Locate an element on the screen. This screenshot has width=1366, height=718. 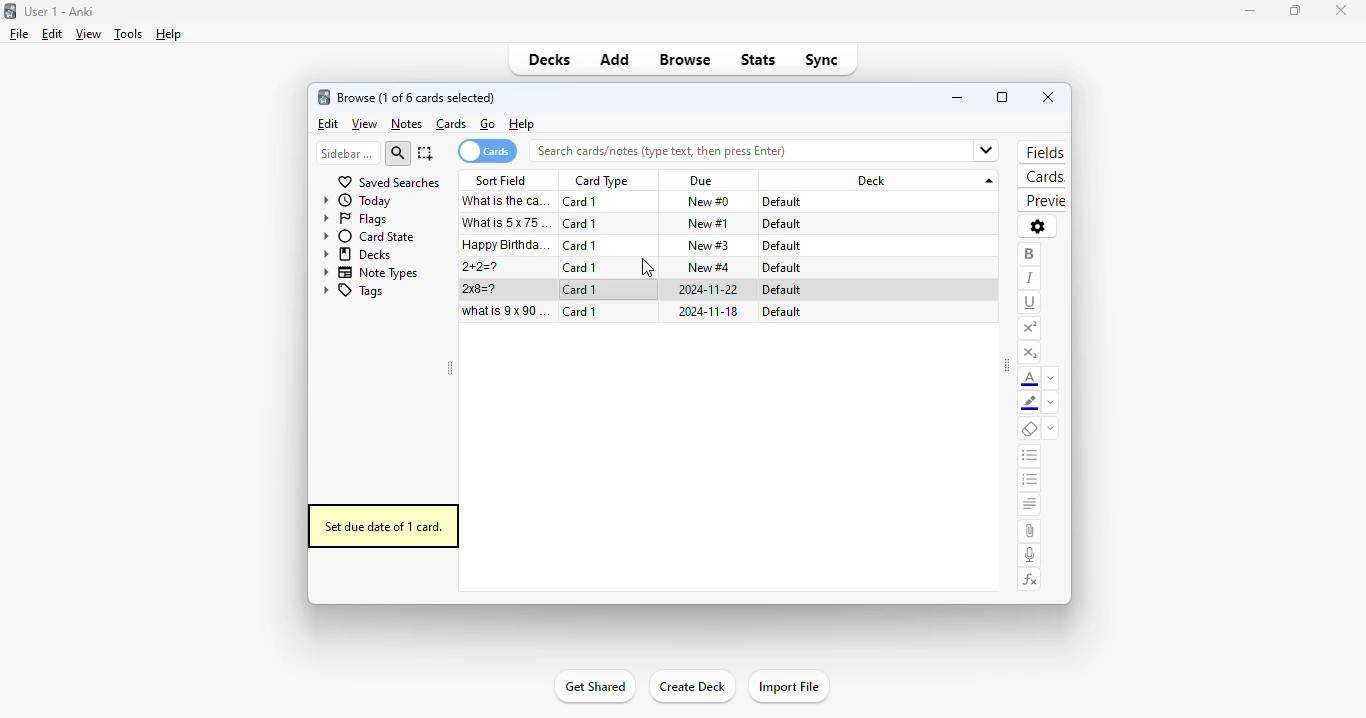
minimize is located at coordinates (958, 97).